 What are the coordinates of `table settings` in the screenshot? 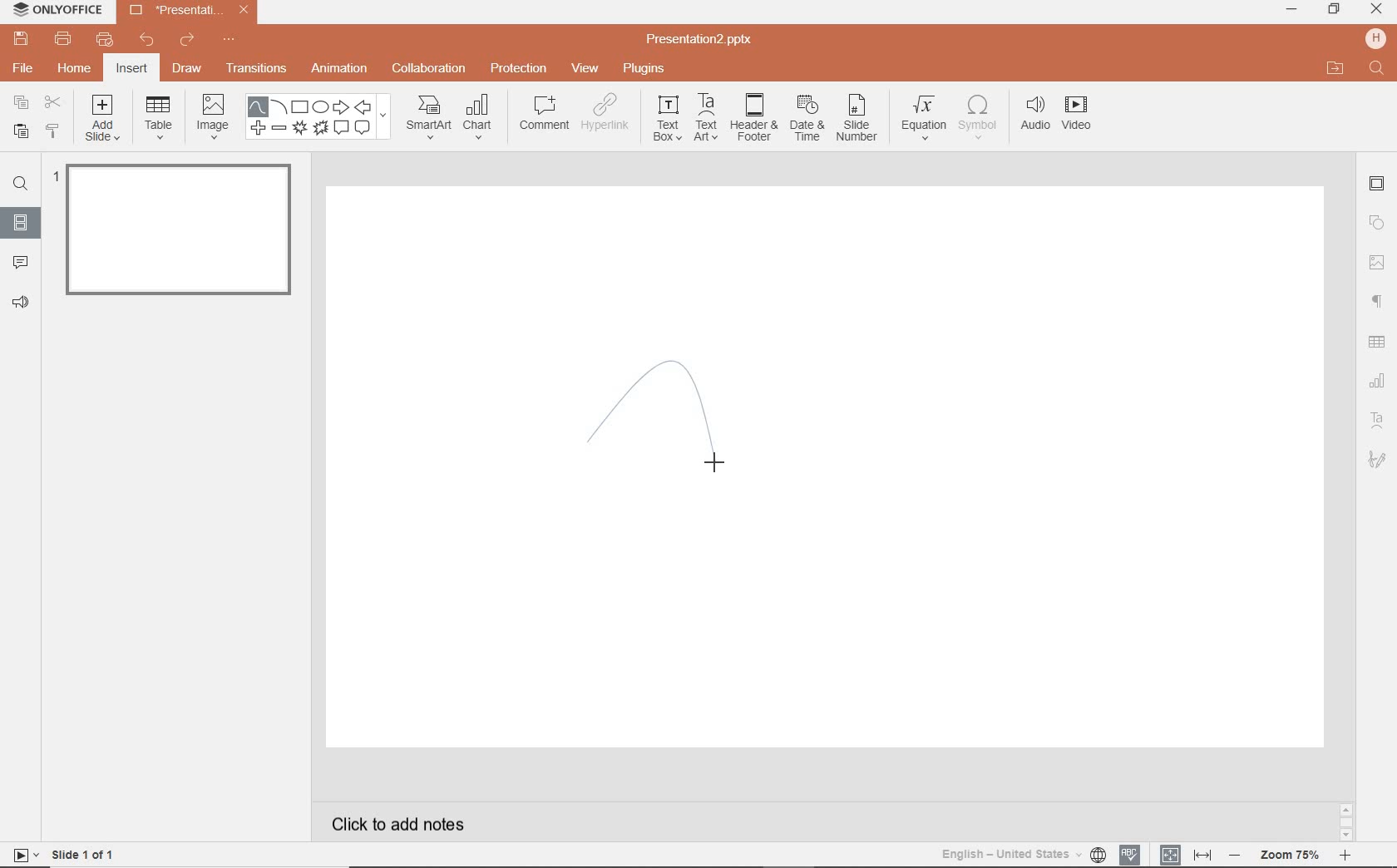 It's located at (1379, 340).